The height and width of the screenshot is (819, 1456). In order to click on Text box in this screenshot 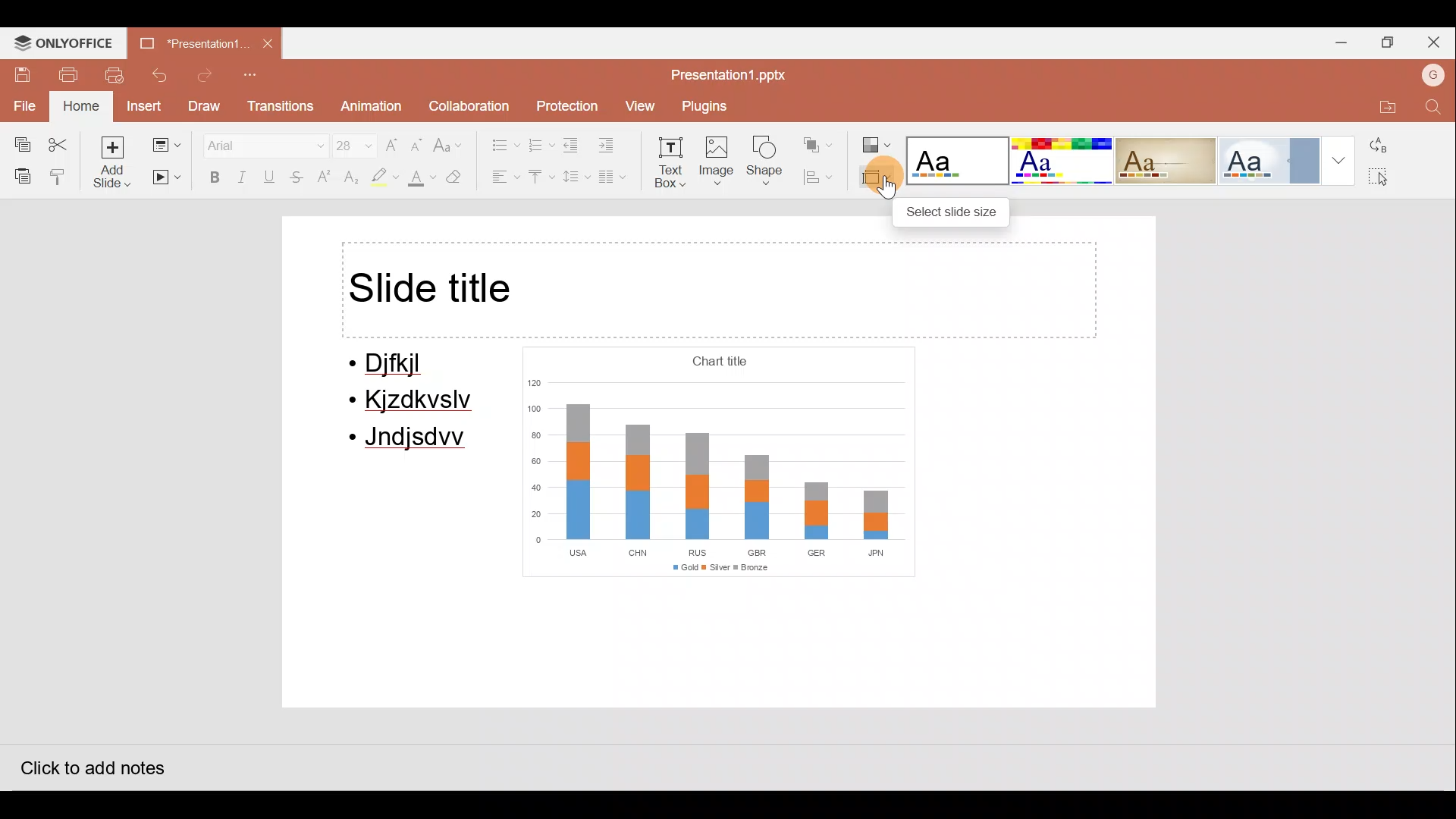, I will do `click(672, 165)`.